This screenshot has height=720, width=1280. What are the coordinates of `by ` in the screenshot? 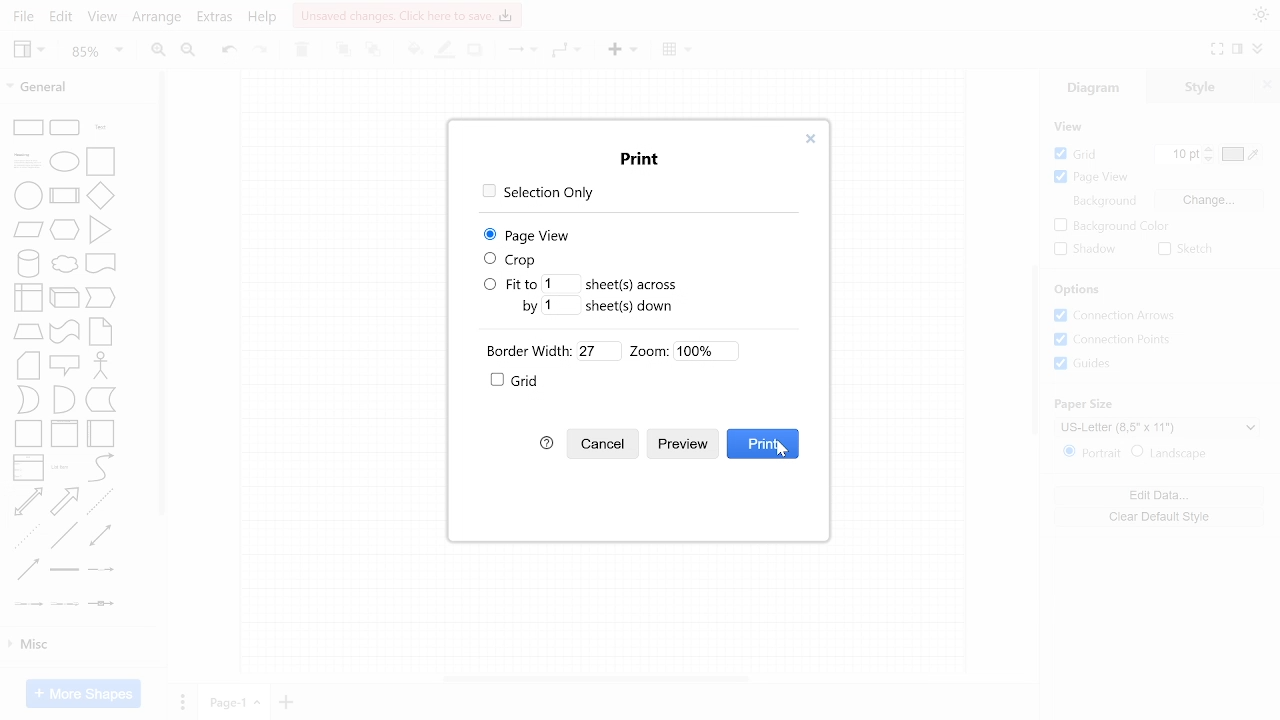 It's located at (530, 307).